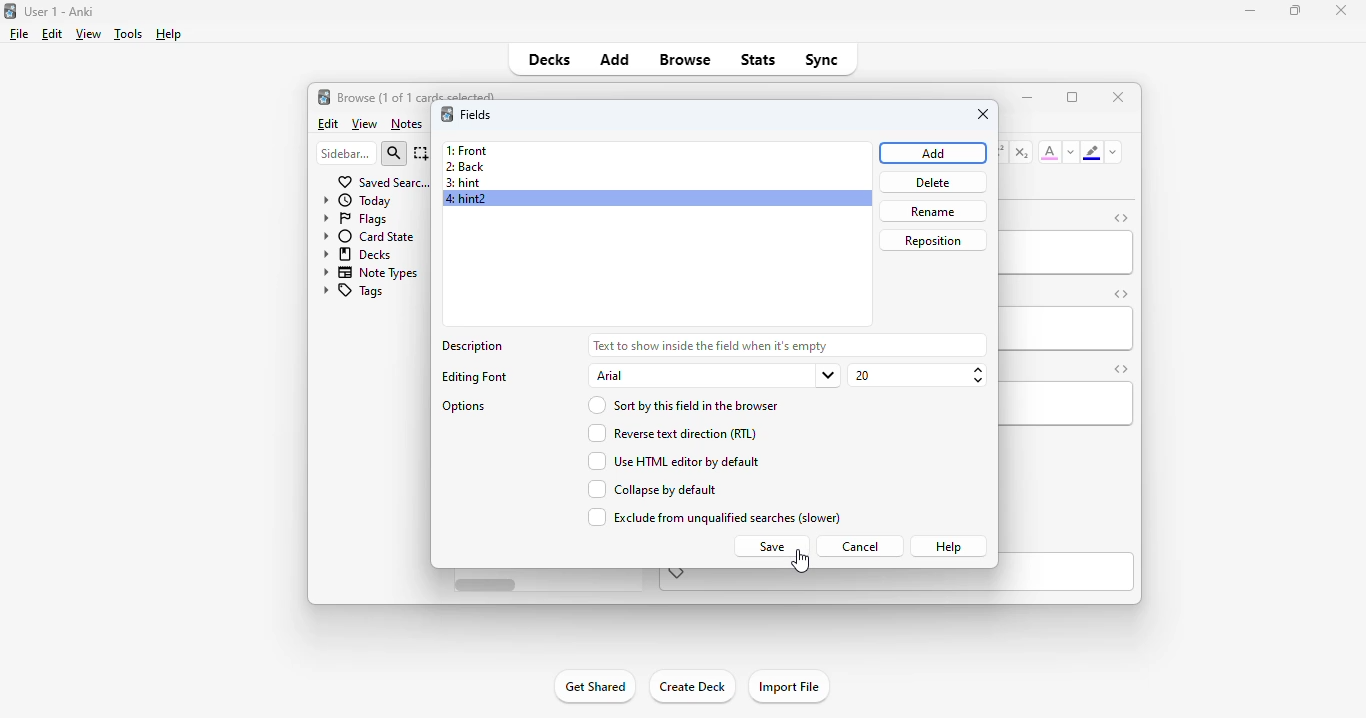  What do you see at coordinates (682, 405) in the screenshot?
I see `sort by this field in the browser` at bounding box center [682, 405].